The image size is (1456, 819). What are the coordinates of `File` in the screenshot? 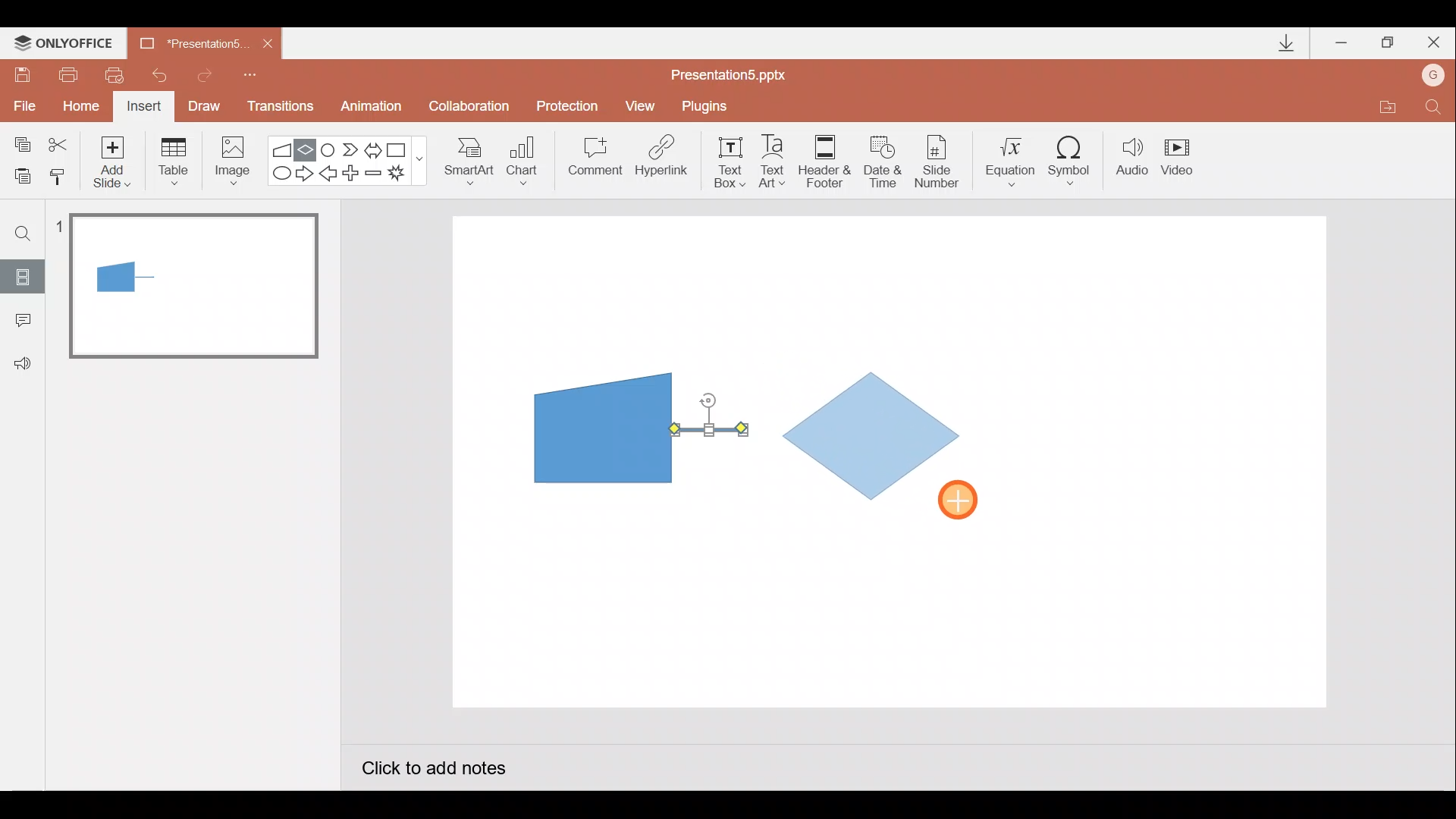 It's located at (21, 102).